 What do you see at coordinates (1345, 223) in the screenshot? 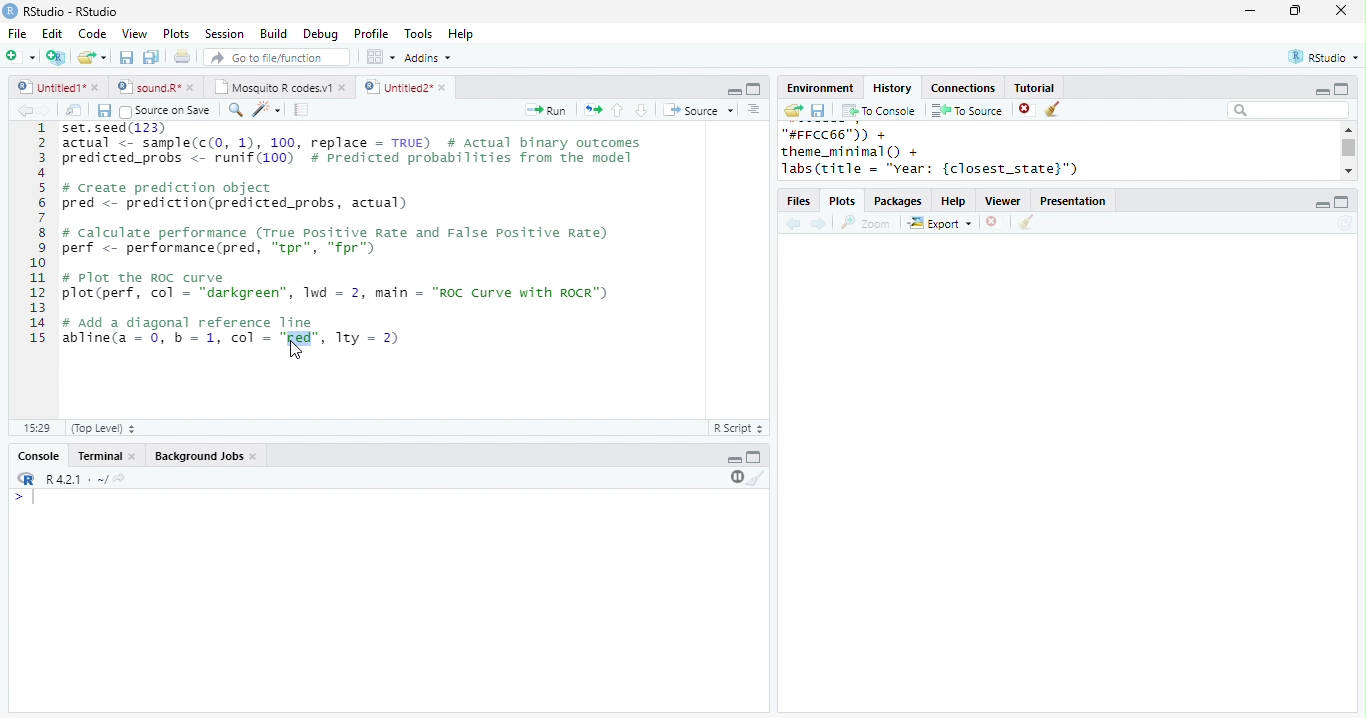
I see `refresh` at bounding box center [1345, 223].